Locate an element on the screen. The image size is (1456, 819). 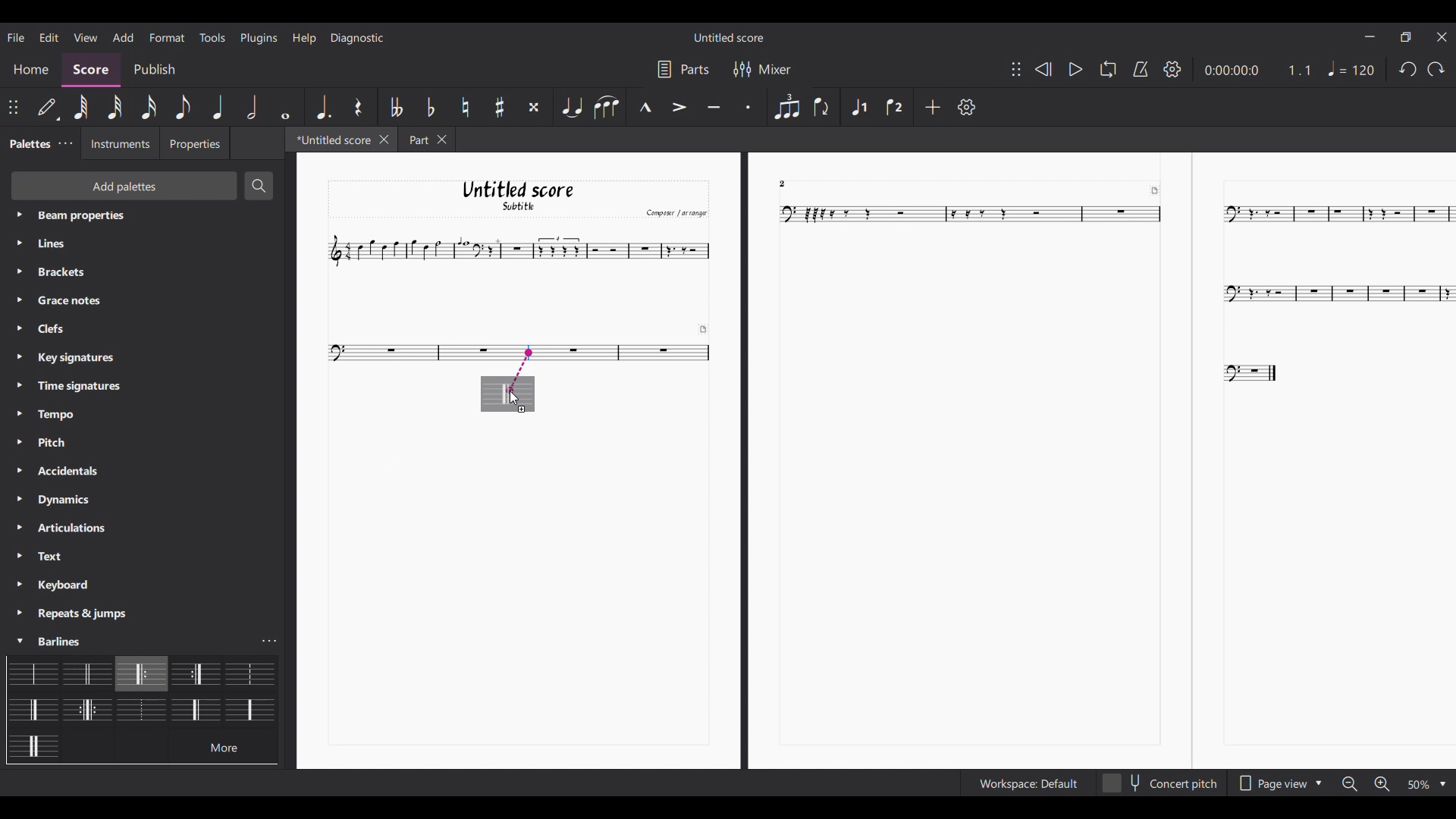
Barline options is located at coordinates (87, 673).